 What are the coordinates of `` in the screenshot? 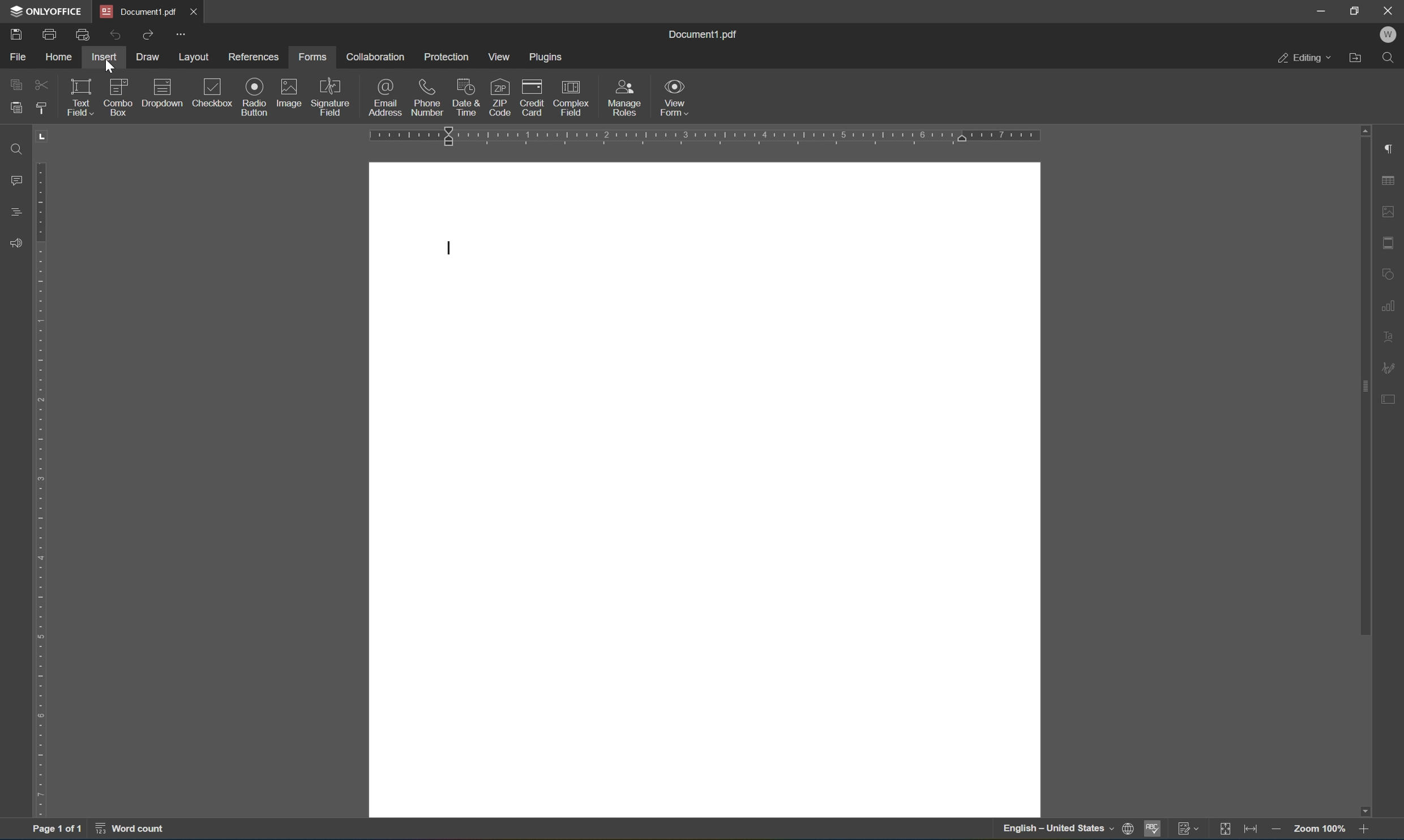 It's located at (1371, 809).